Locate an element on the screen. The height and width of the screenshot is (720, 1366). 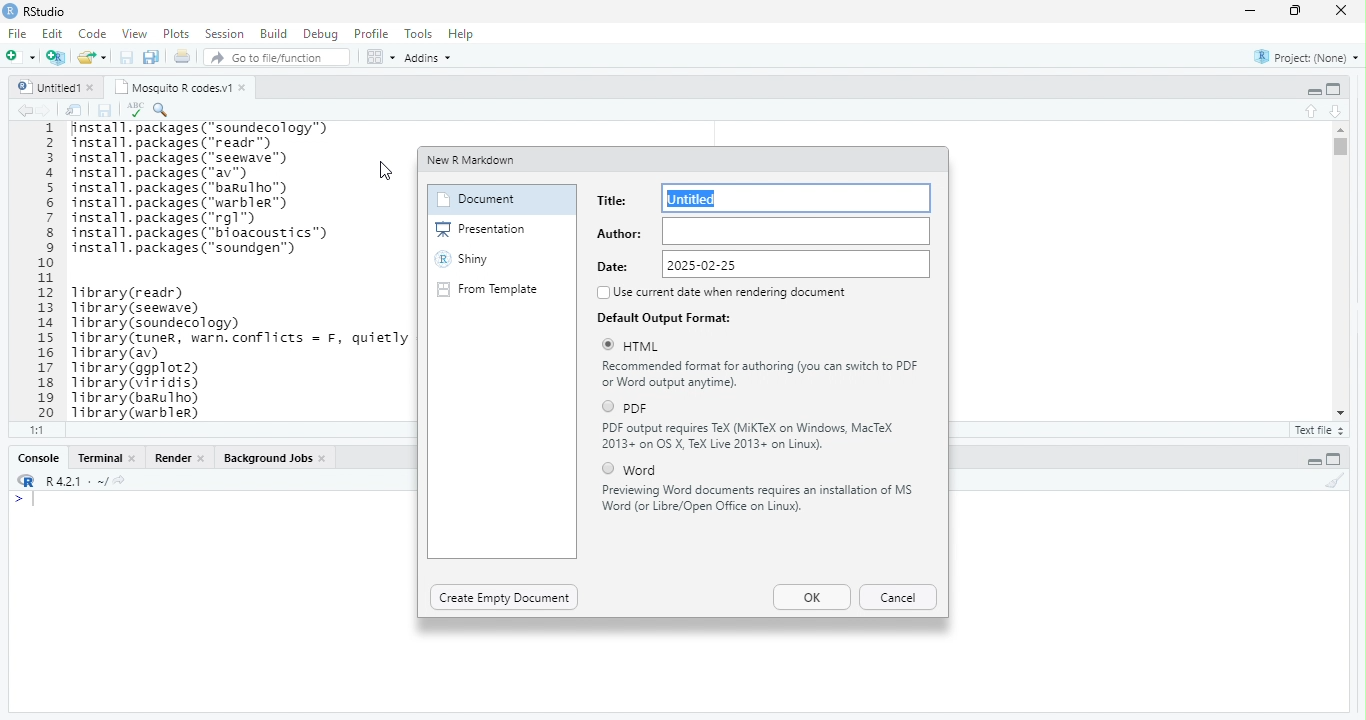
search is located at coordinates (162, 110).